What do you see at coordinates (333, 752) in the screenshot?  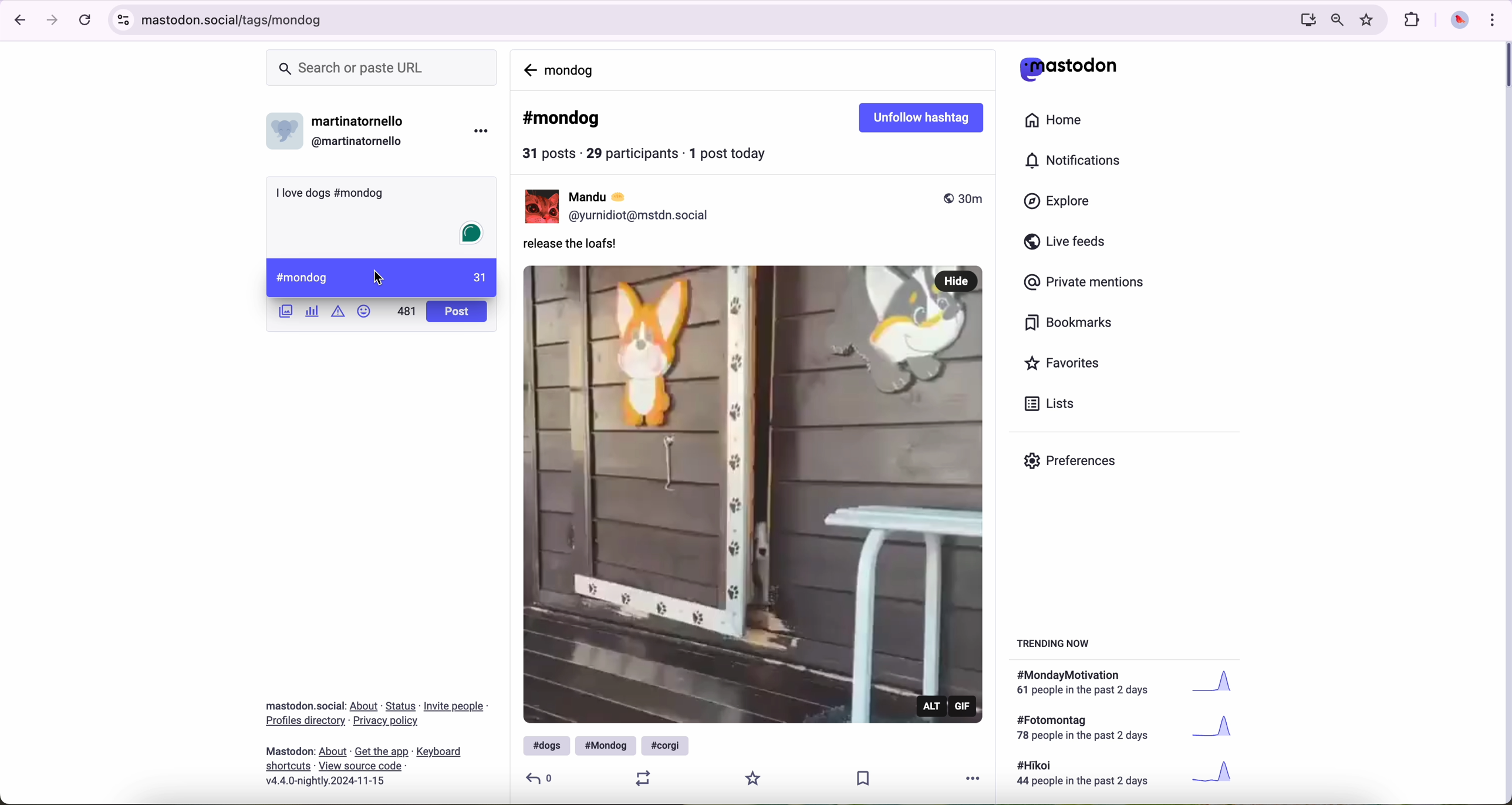 I see `link` at bounding box center [333, 752].